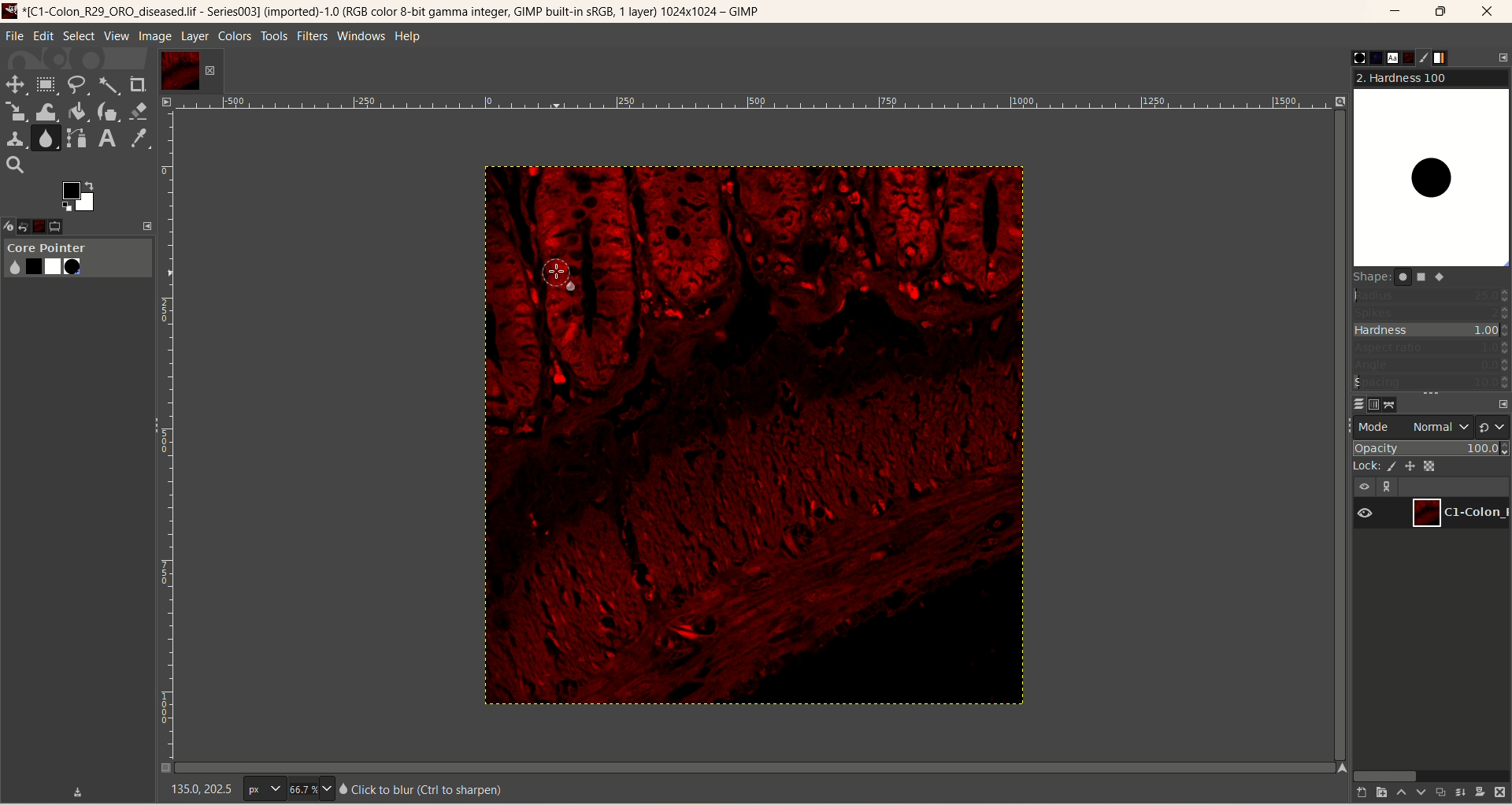 The image size is (1512, 805). I want to click on text tool, so click(106, 139).